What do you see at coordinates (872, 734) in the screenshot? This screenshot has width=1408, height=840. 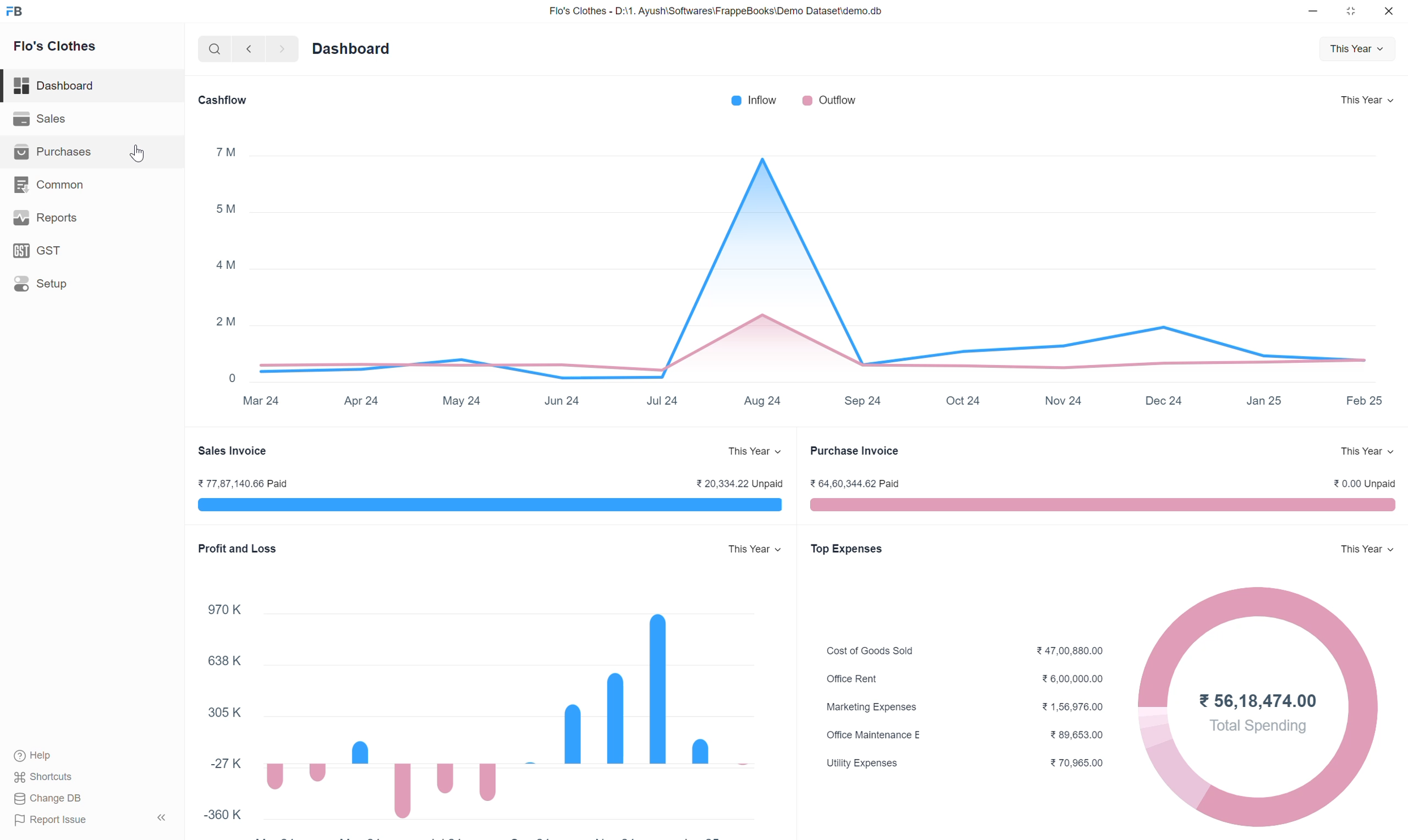 I see `Office Maintenance E` at bounding box center [872, 734].